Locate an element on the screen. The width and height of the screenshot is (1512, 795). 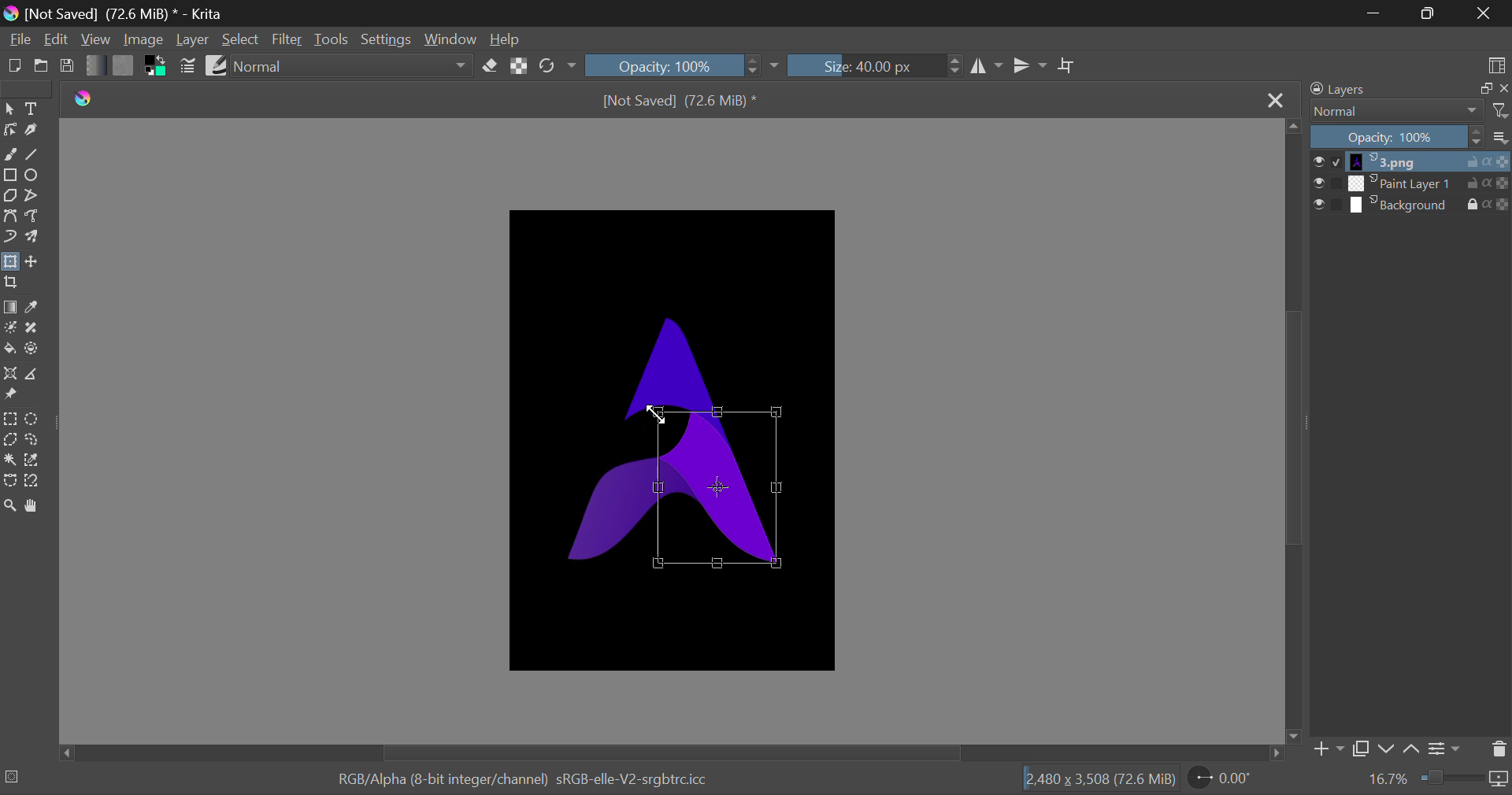
Text is located at coordinates (32, 109).